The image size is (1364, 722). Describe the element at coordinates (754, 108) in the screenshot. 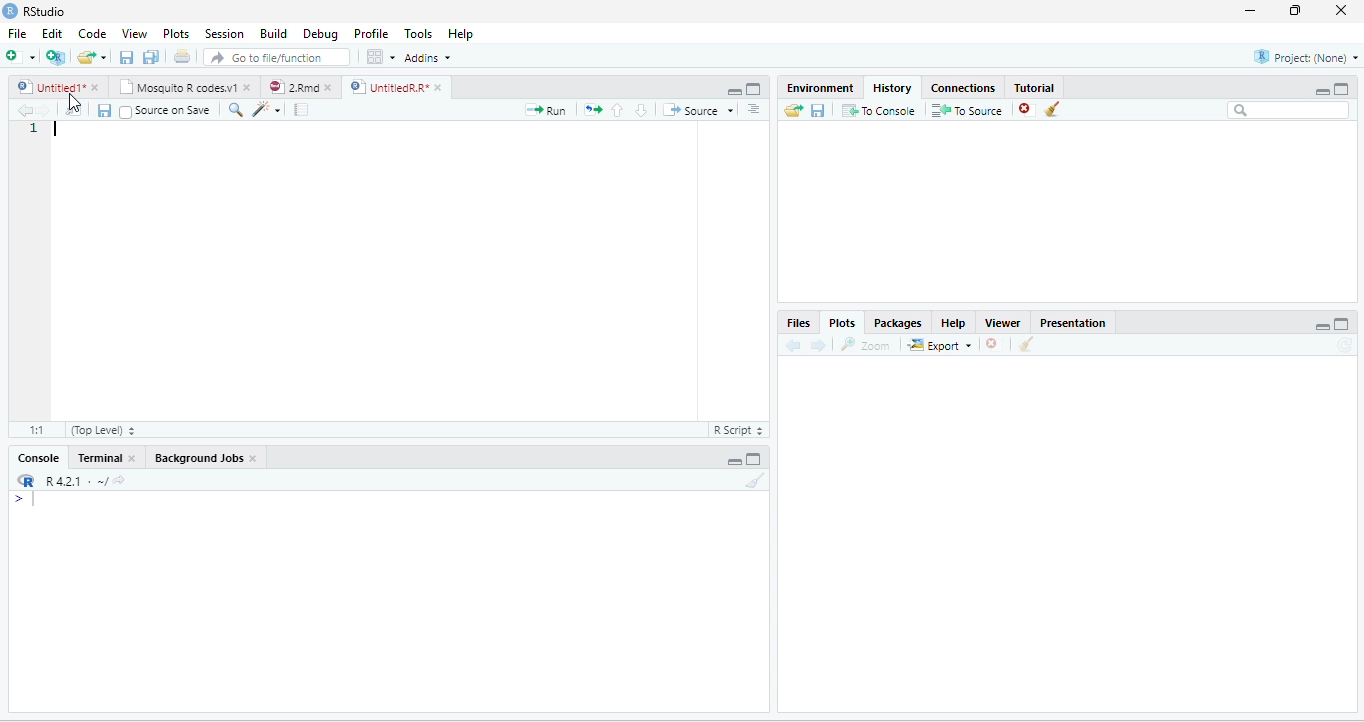

I see `Show document outline` at that location.